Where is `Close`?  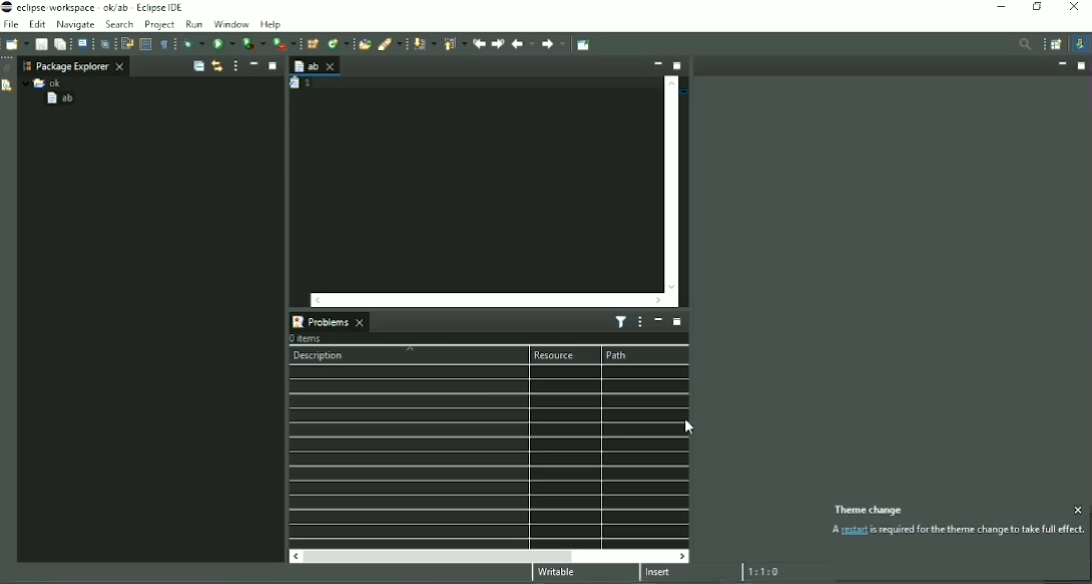 Close is located at coordinates (1074, 8).